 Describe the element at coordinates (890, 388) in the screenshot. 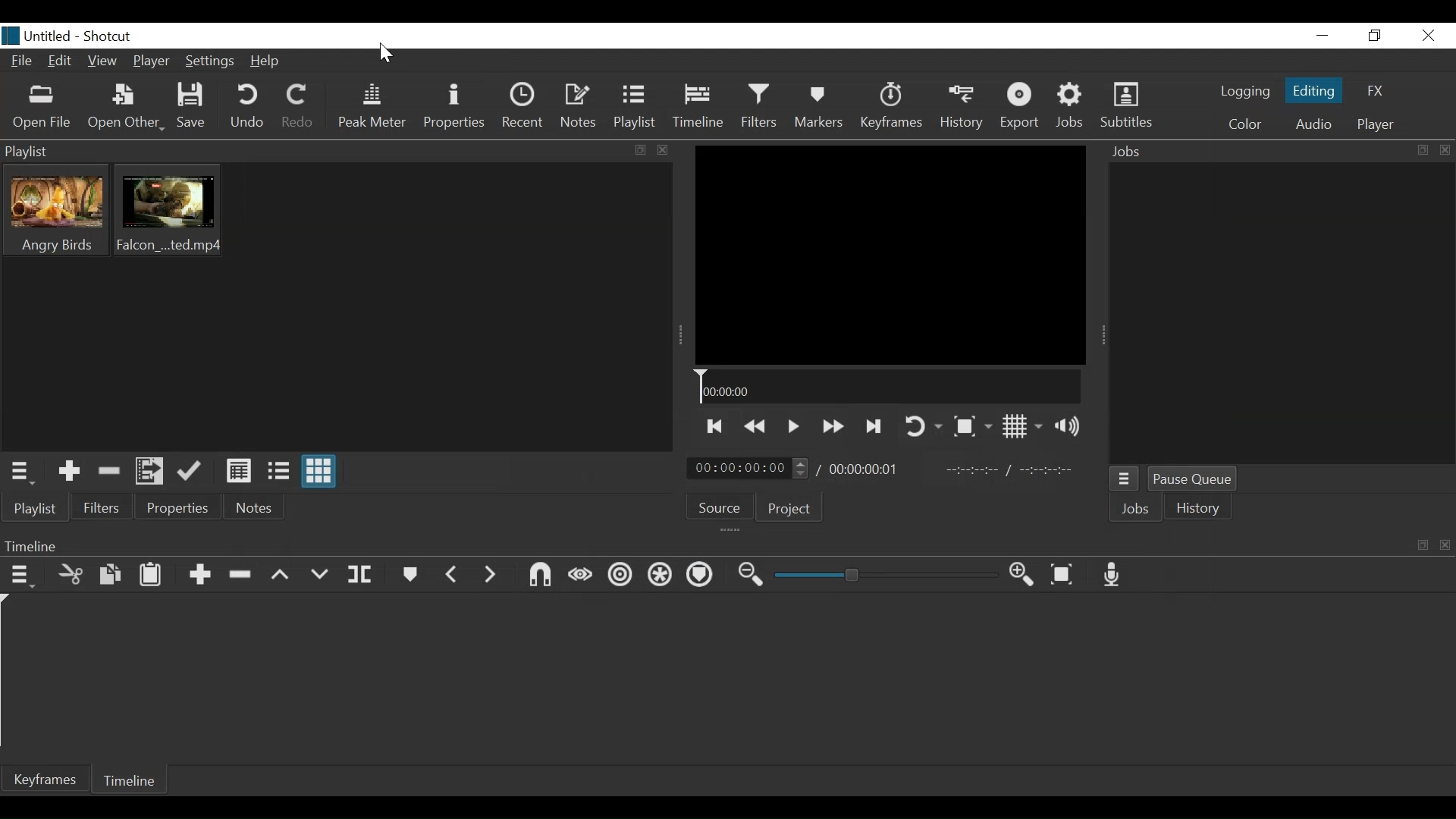

I see `Timeline` at that location.